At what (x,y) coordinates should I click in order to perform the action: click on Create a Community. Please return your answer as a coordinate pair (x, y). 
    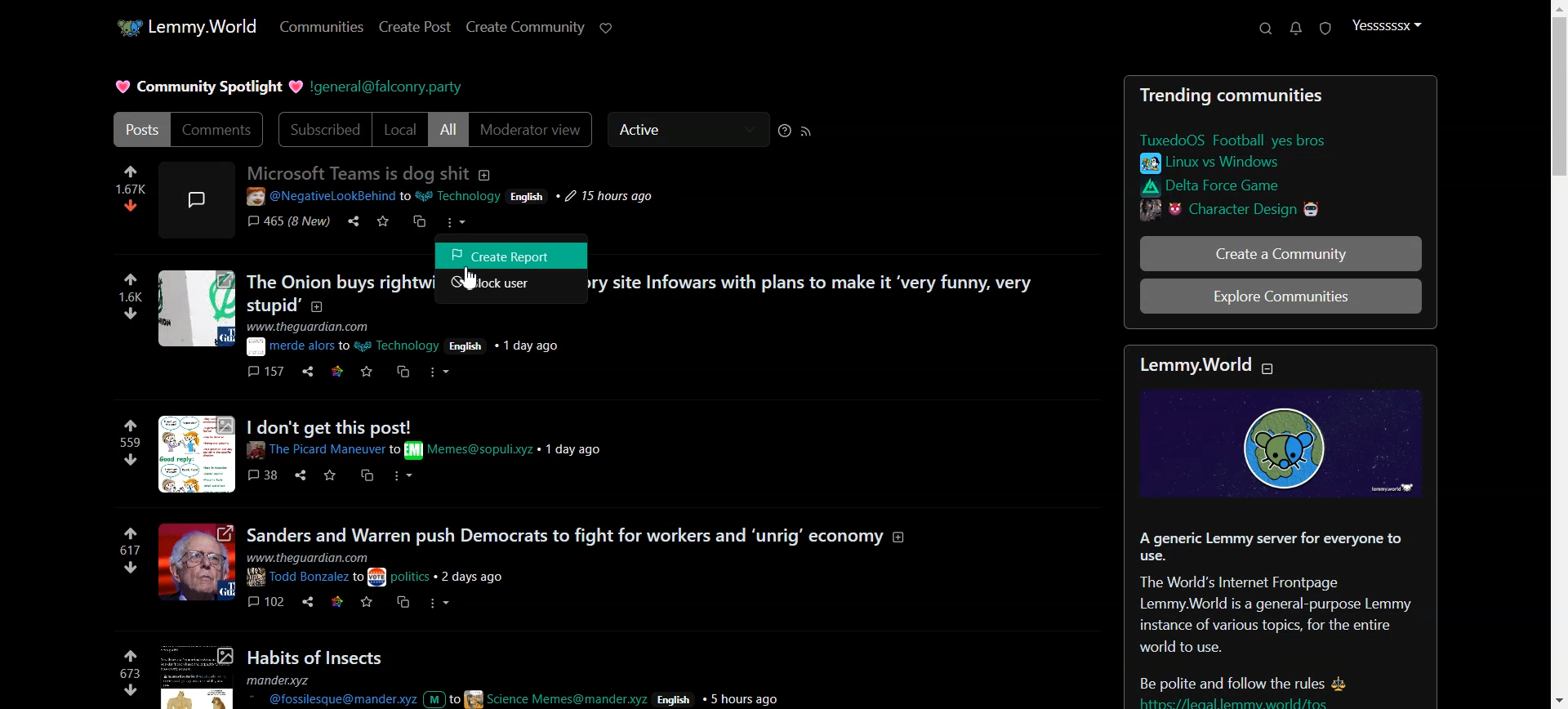
    Looking at the image, I should click on (1281, 253).